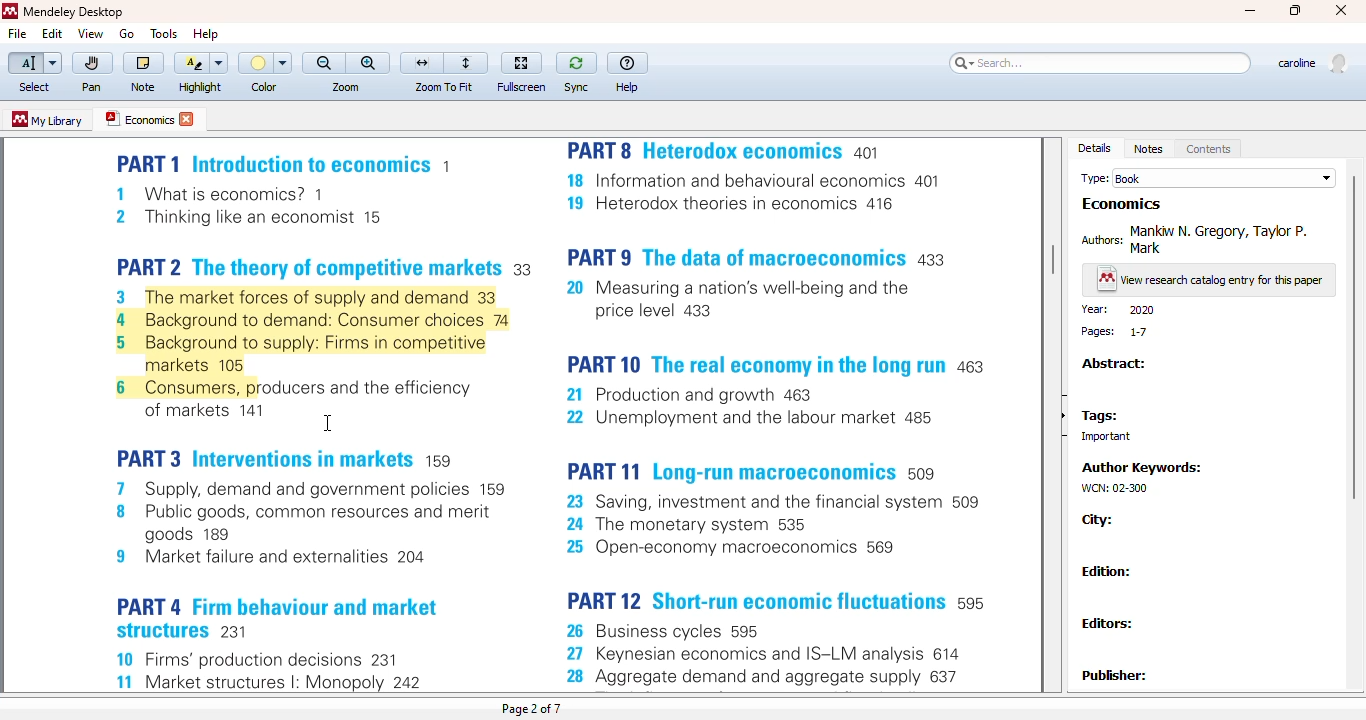 The width and height of the screenshot is (1366, 720). What do you see at coordinates (1210, 281) in the screenshot?
I see `view research catalog entry for this paper` at bounding box center [1210, 281].